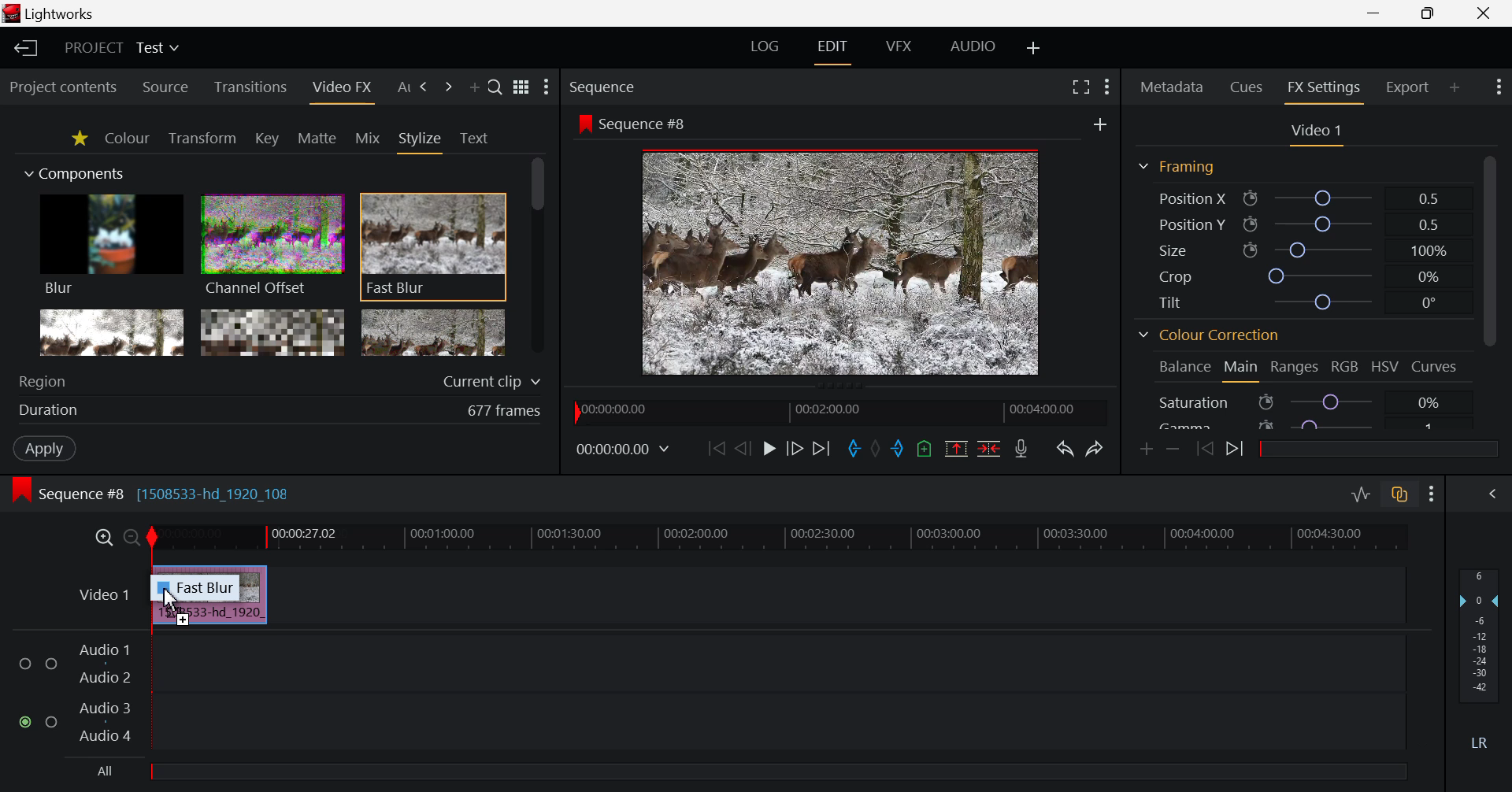 The width and height of the screenshot is (1512, 792). I want to click on Gamma, so click(1303, 425).